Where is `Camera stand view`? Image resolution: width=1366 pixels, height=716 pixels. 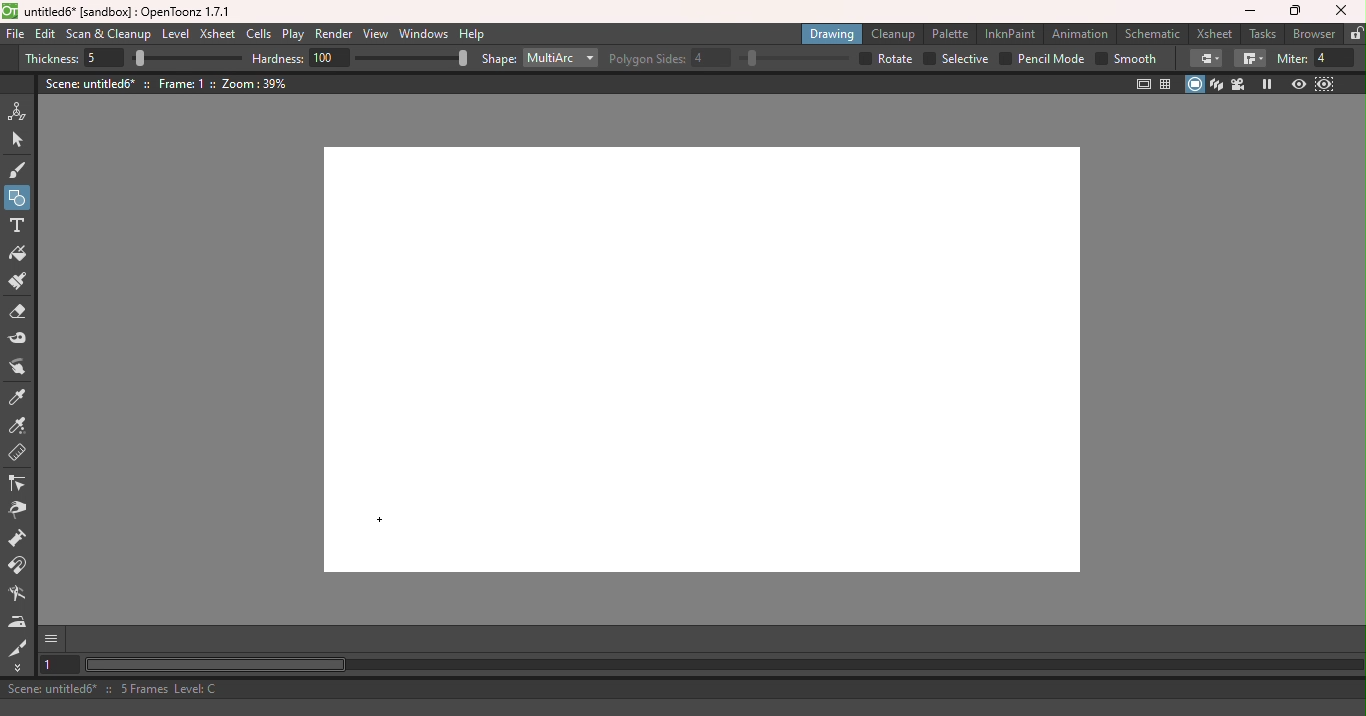
Camera stand view is located at coordinates (1195, 84).